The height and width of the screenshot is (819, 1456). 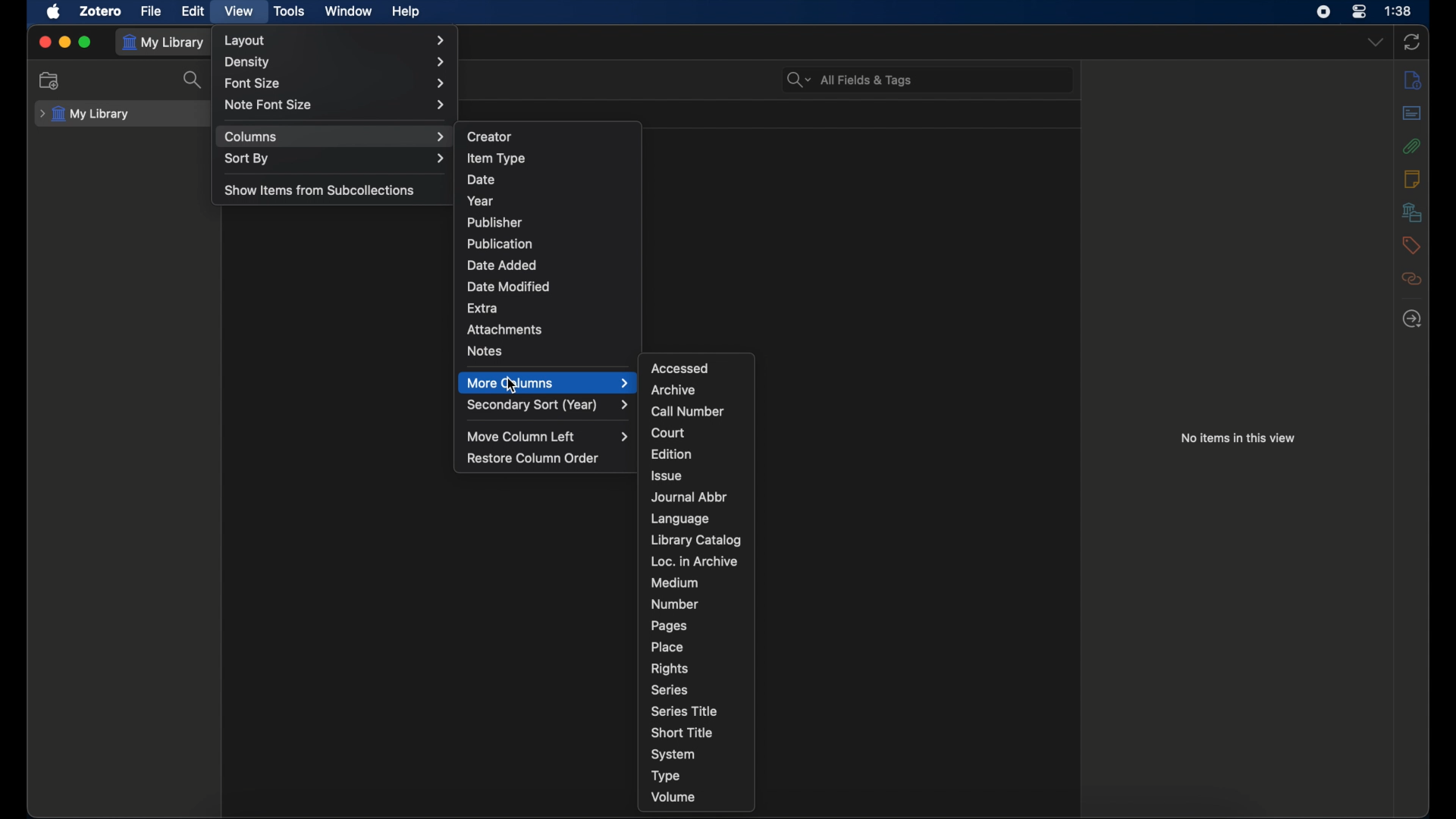 What do you see at coordinates (167, 42) in the screenshot?
I see `my library` at bounding box center [167, 42].